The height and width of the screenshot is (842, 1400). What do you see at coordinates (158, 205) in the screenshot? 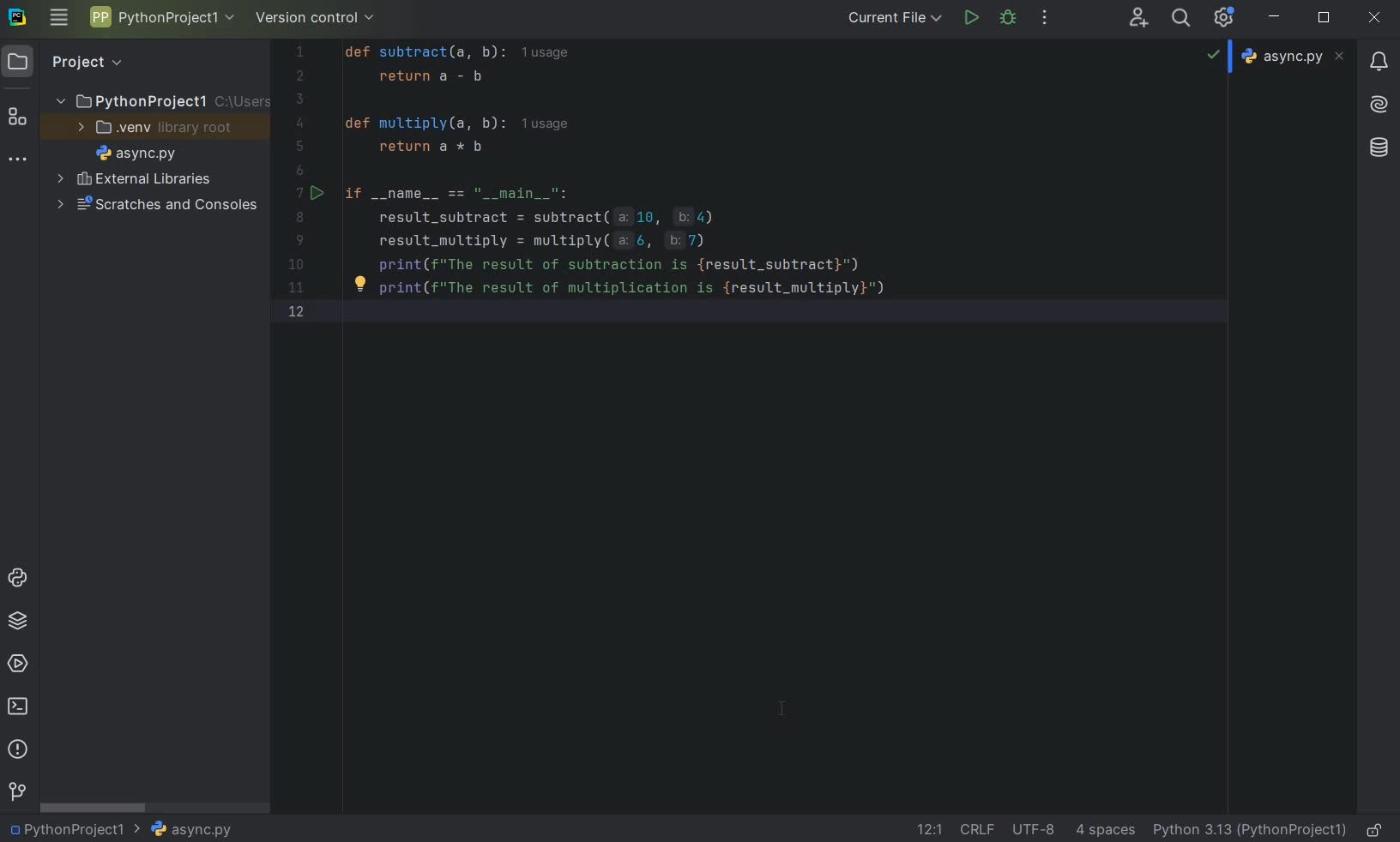
I see `SCRATCHES AND CONSOLES` at bounding box center [158, 205].